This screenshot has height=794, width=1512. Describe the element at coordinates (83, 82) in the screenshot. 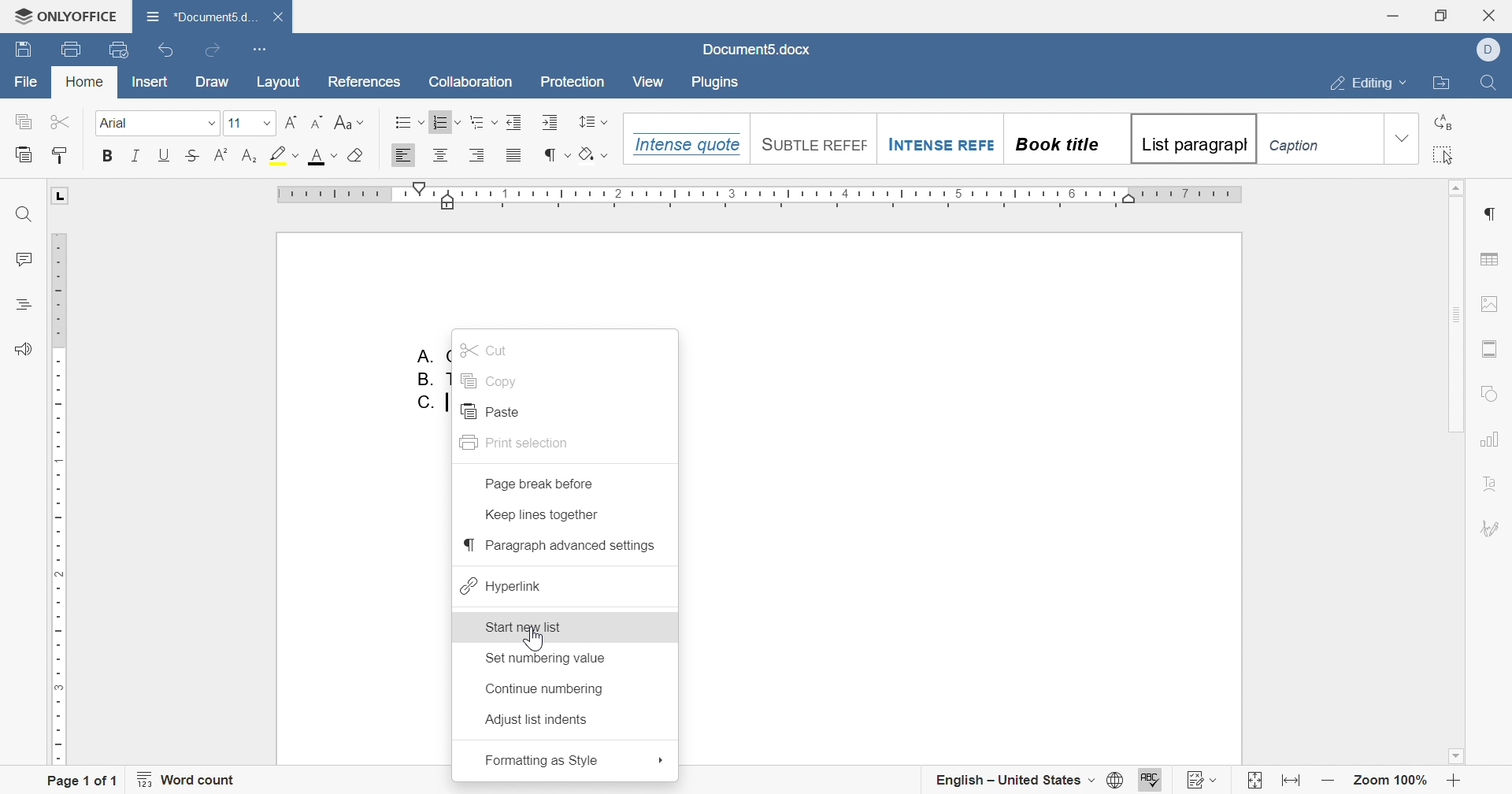

I see `home` at that location.